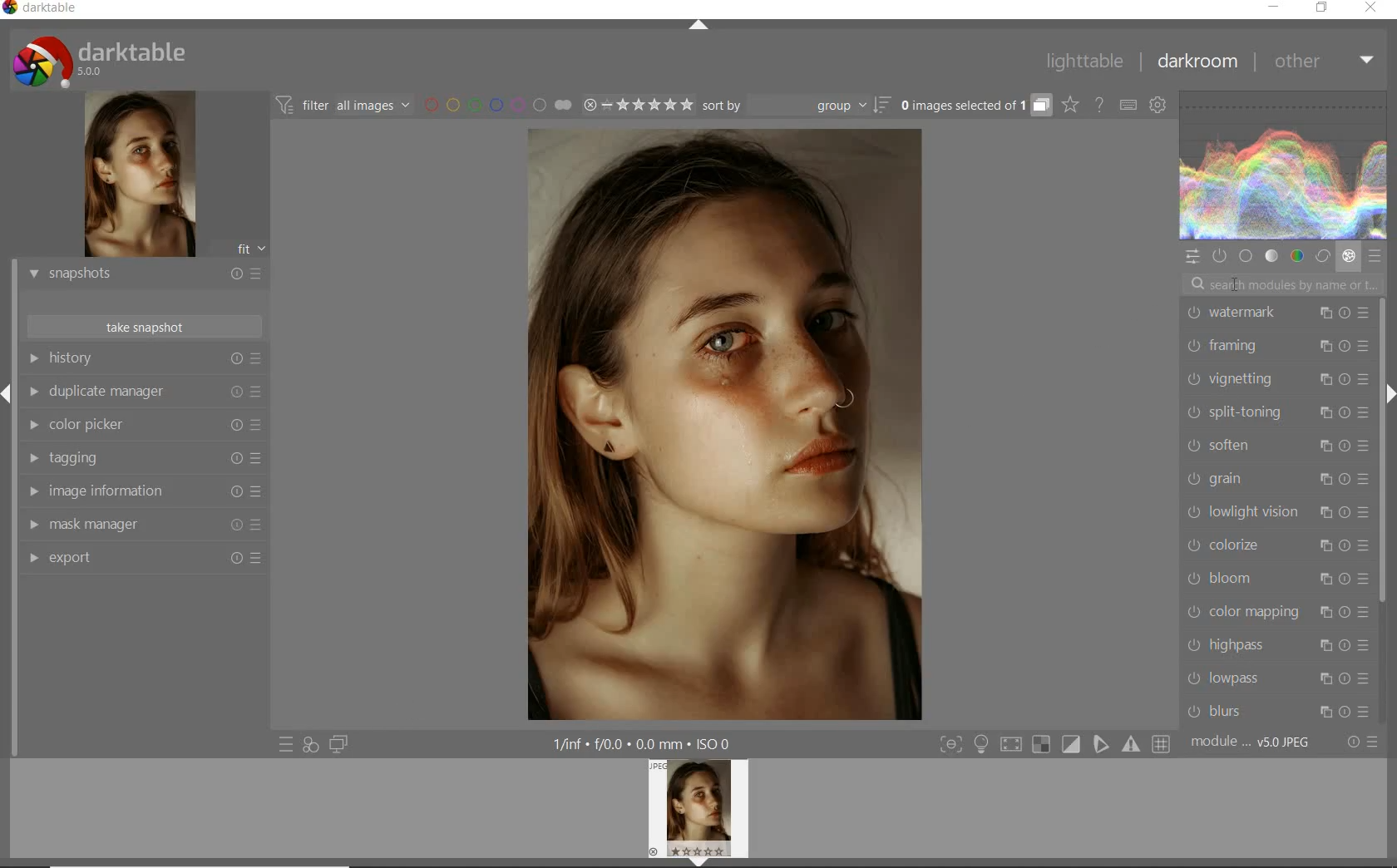  I want to click on other display information, so click(645, 744).